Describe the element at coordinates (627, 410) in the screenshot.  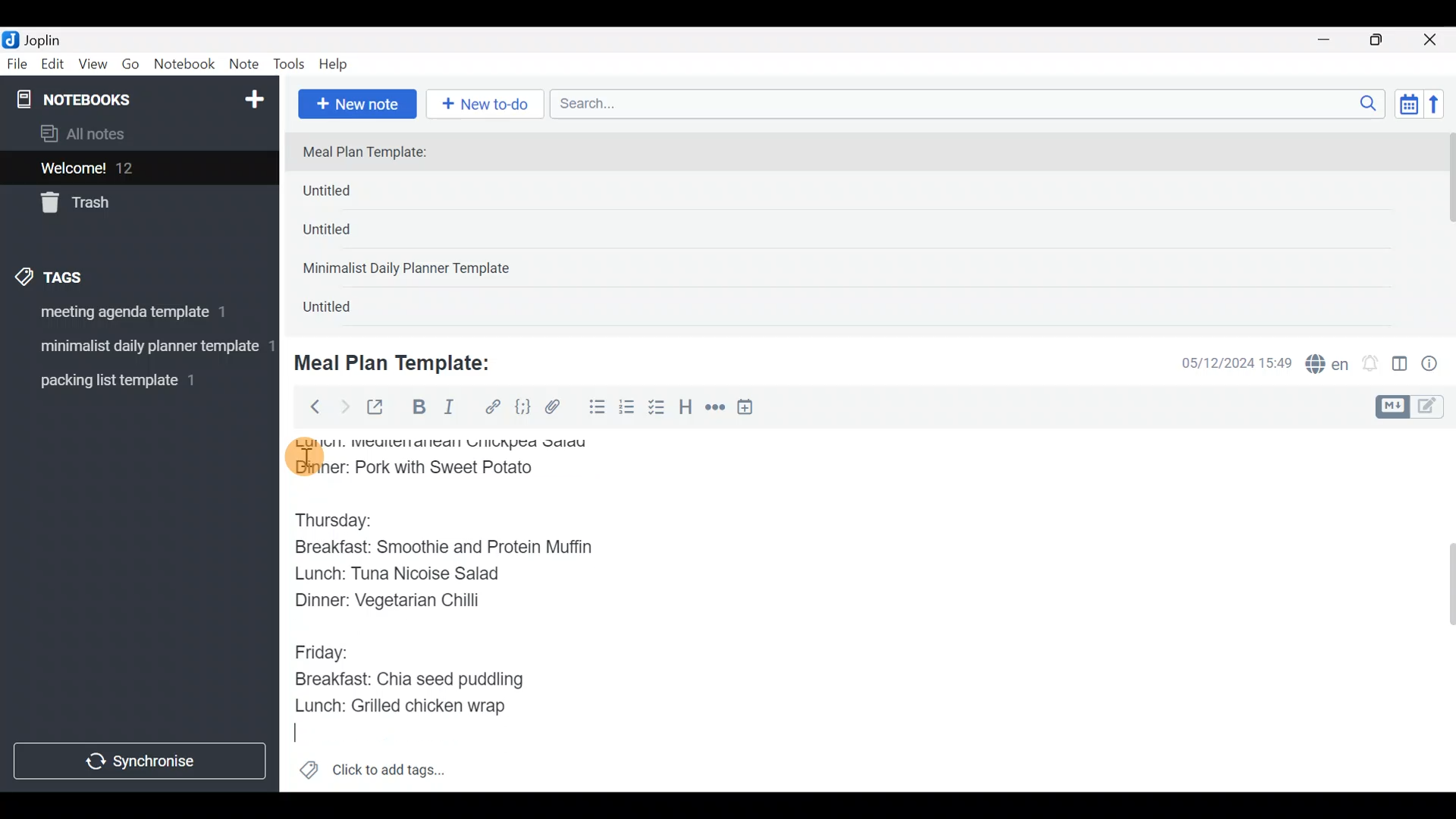
I see `Numbered list` at that location.